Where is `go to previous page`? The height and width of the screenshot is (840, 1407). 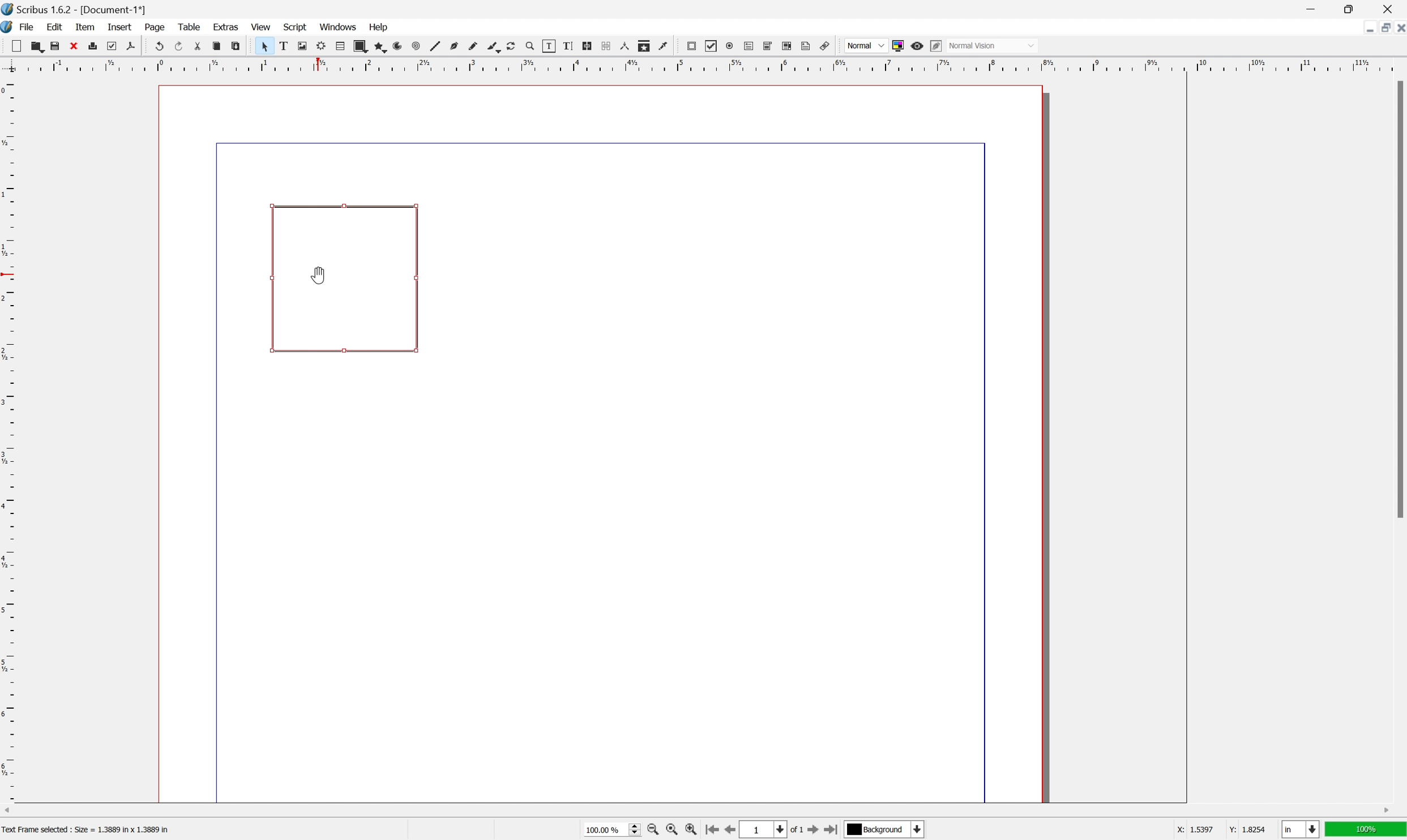
go to previous page is located at coordinates (728, 831).